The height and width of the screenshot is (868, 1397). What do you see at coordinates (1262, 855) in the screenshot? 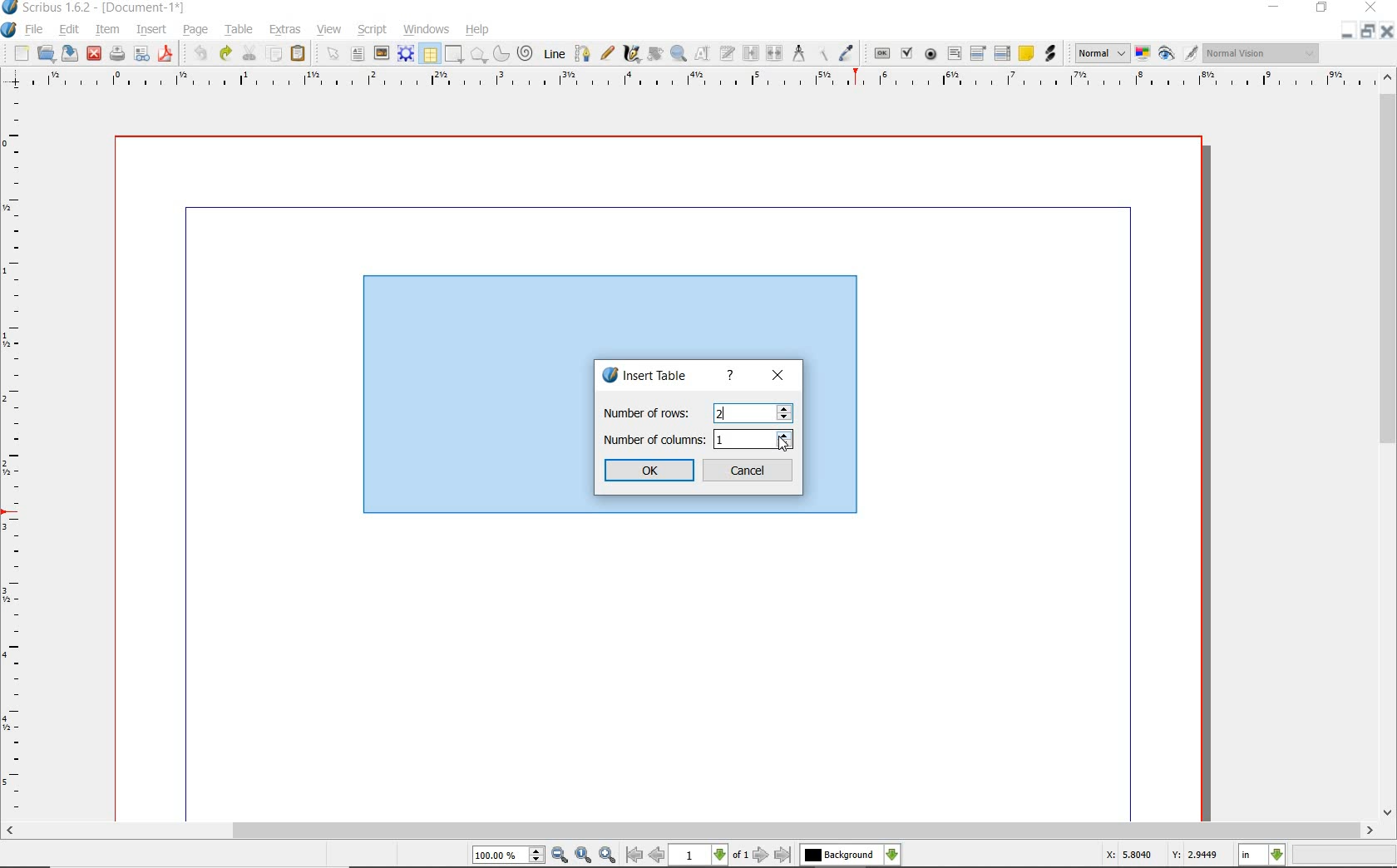
I see `select measurement` at bounding box center [1262, 855].